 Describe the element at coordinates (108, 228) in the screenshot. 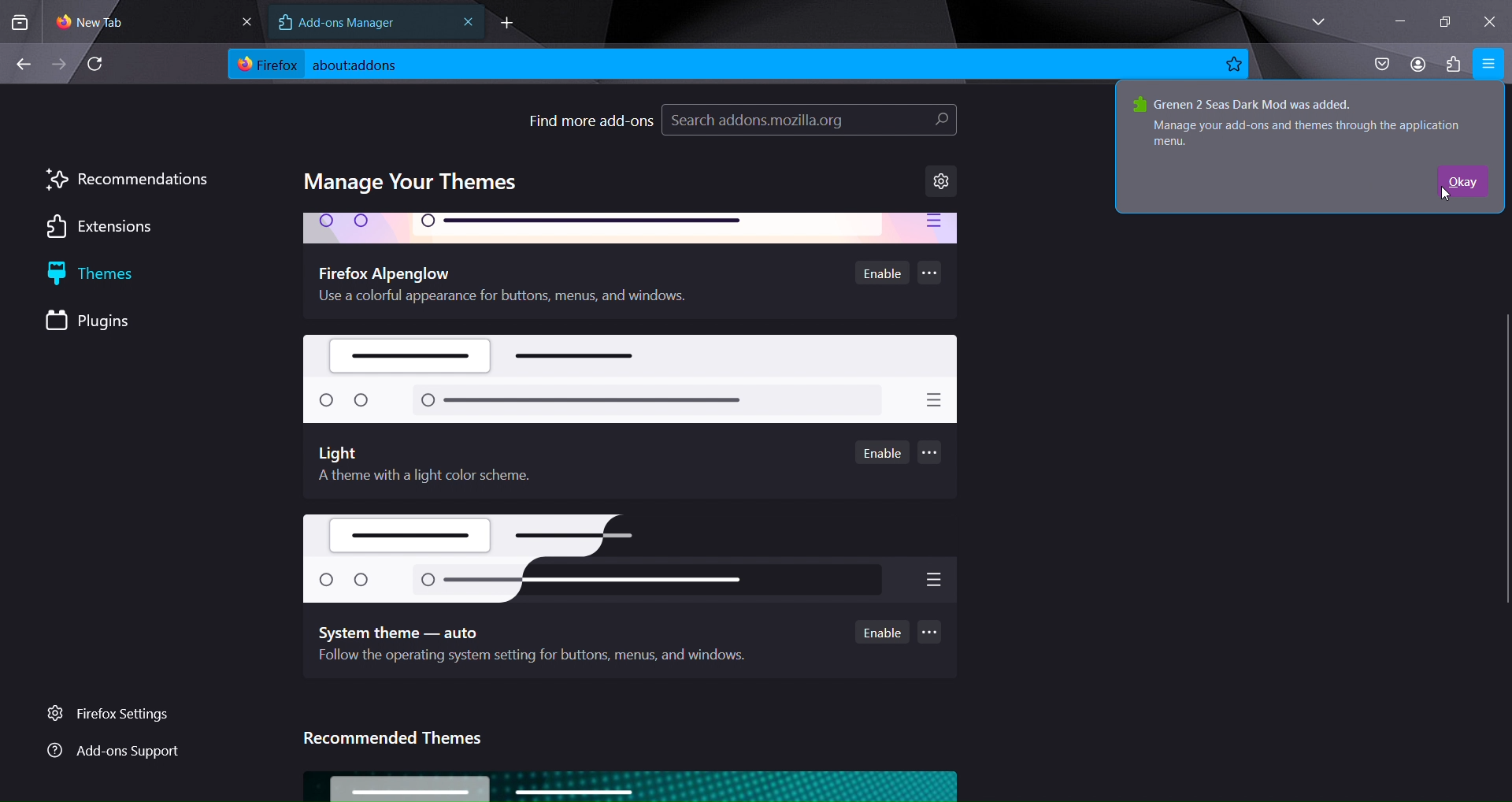

I see `extensions` at that location.